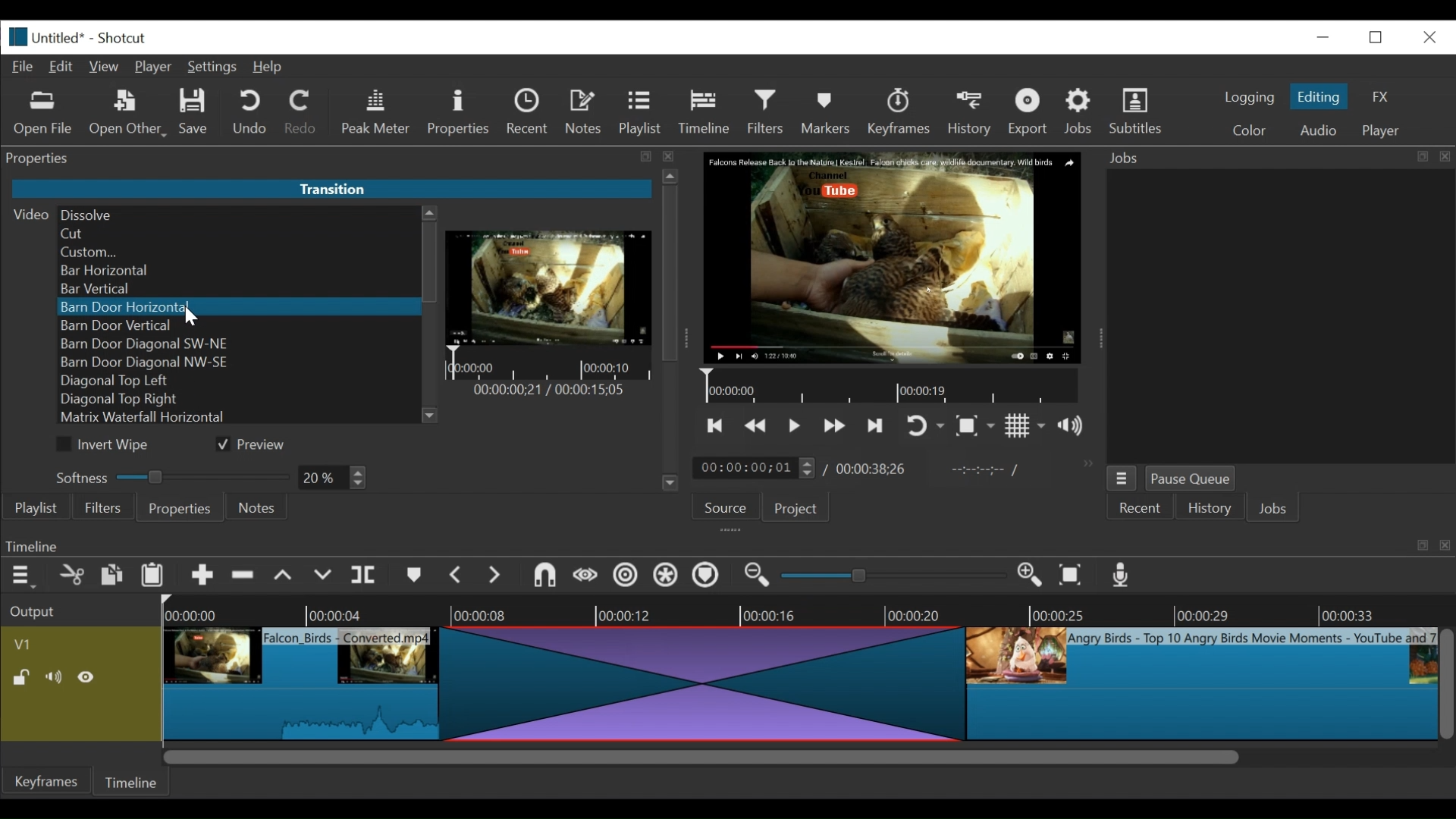 The width and height of the screenshot is (1456, 819). I want to click on Undo, so click(252, 113).